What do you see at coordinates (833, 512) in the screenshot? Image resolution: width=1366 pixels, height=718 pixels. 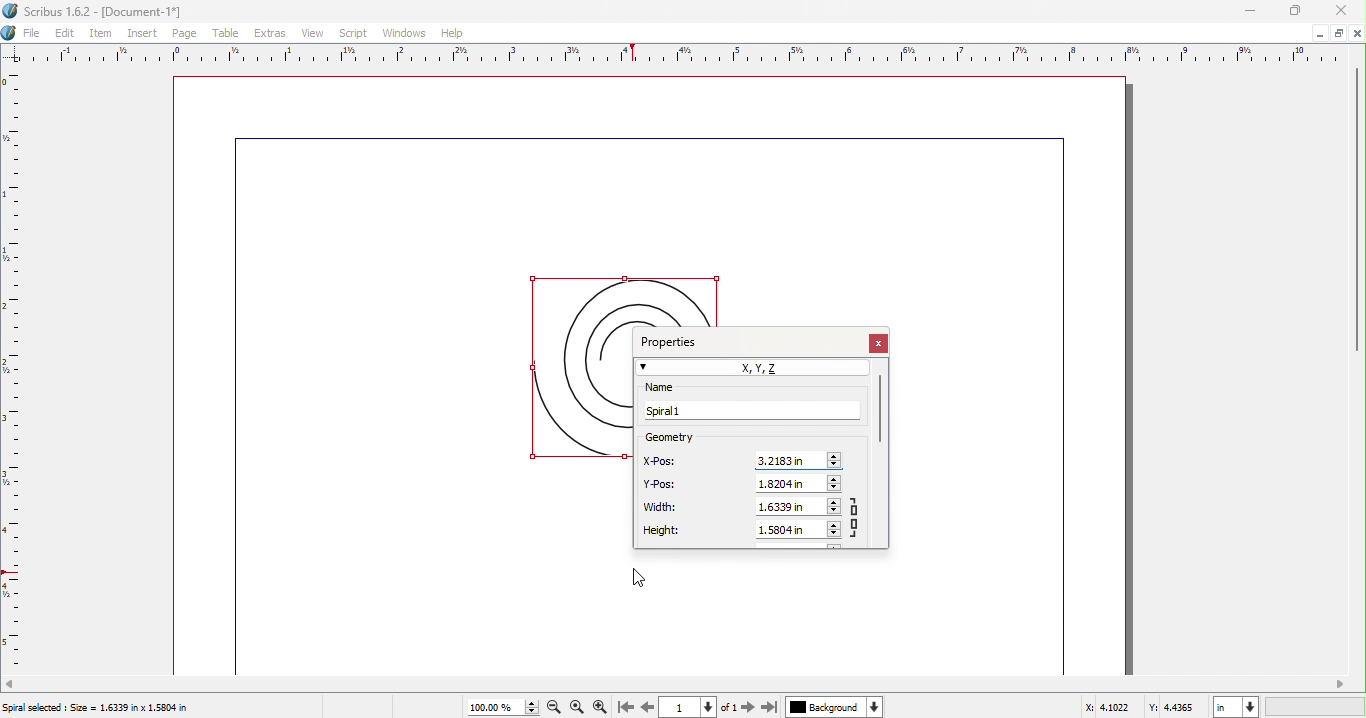 I see `decrease width` at bounding box center [833, 512].